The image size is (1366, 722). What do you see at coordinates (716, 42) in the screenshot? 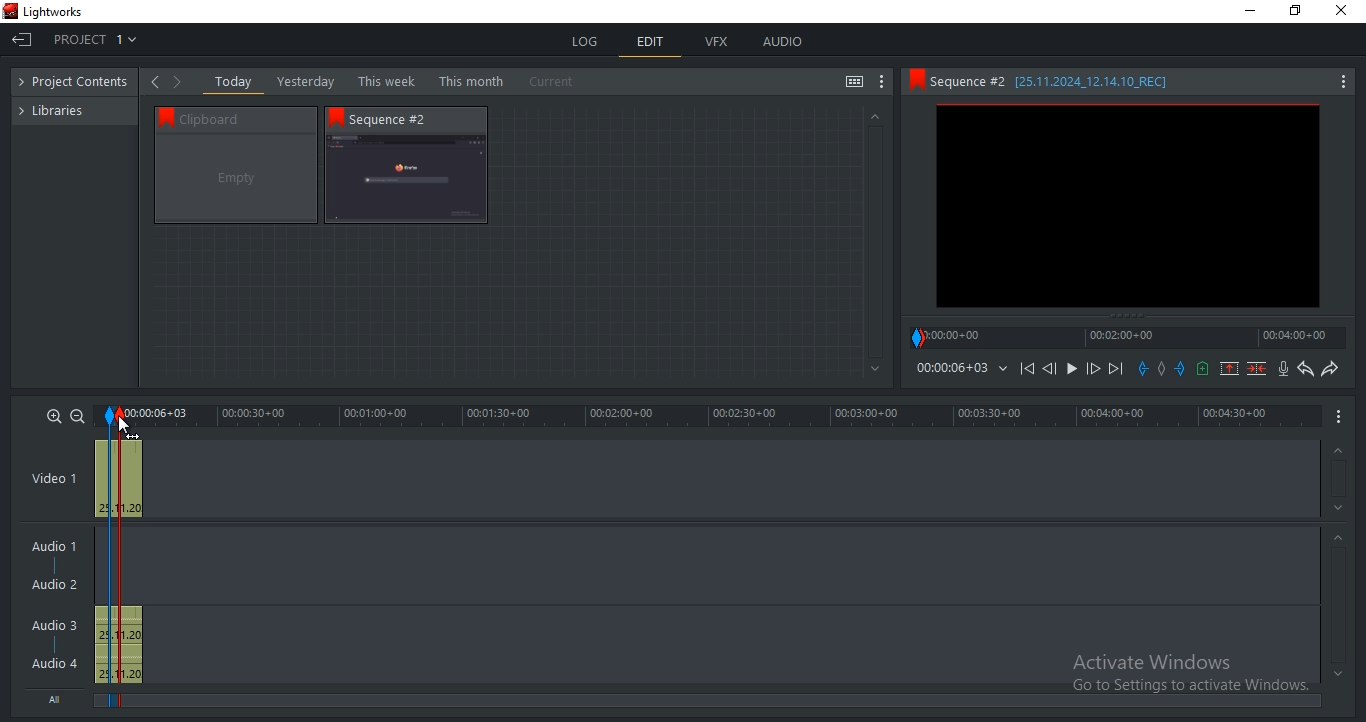
I see `vfx` at bounding box center [716, 42].